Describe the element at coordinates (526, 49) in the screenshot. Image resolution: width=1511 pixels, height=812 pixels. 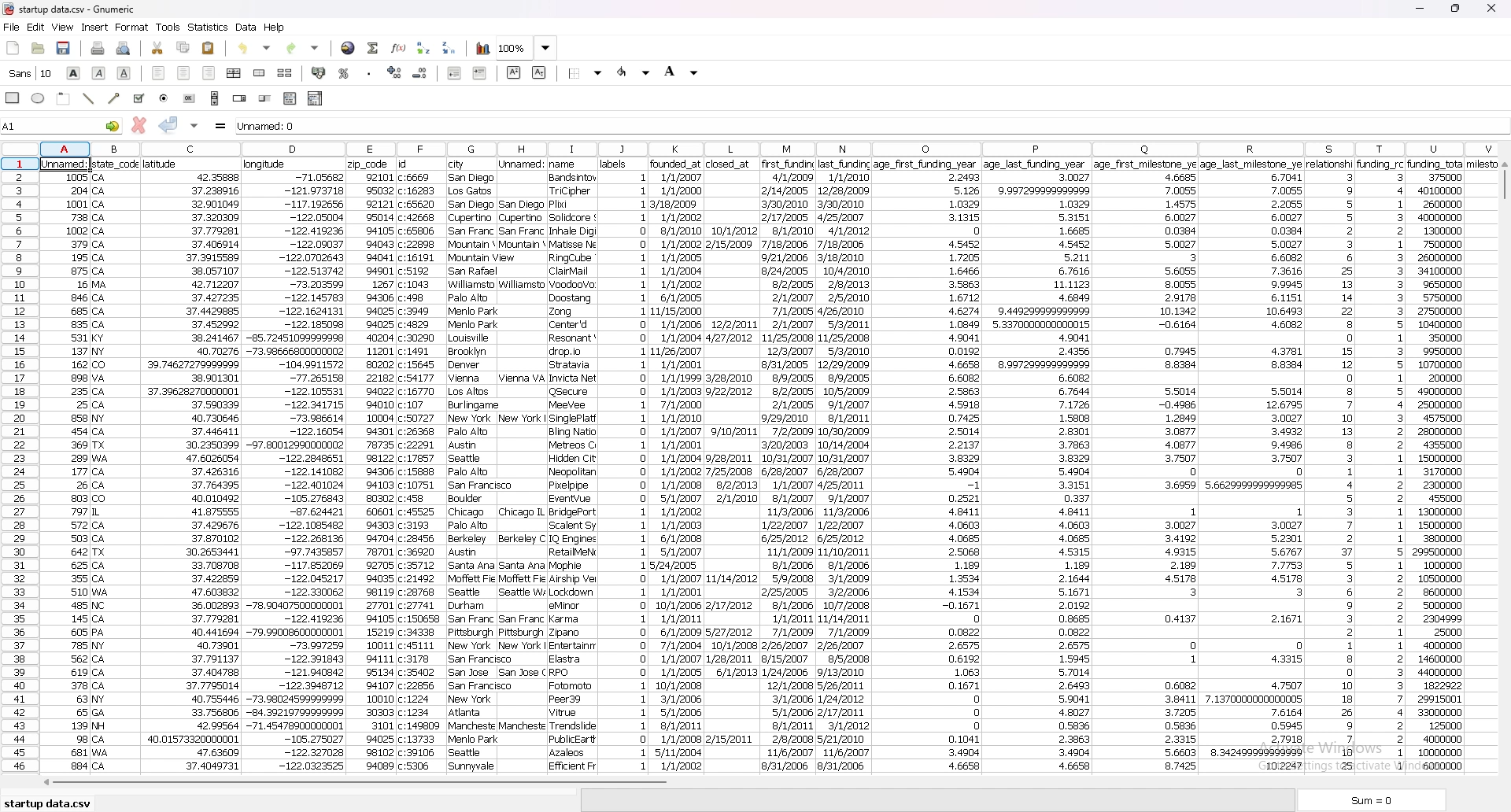
I see `zoom` at that location.